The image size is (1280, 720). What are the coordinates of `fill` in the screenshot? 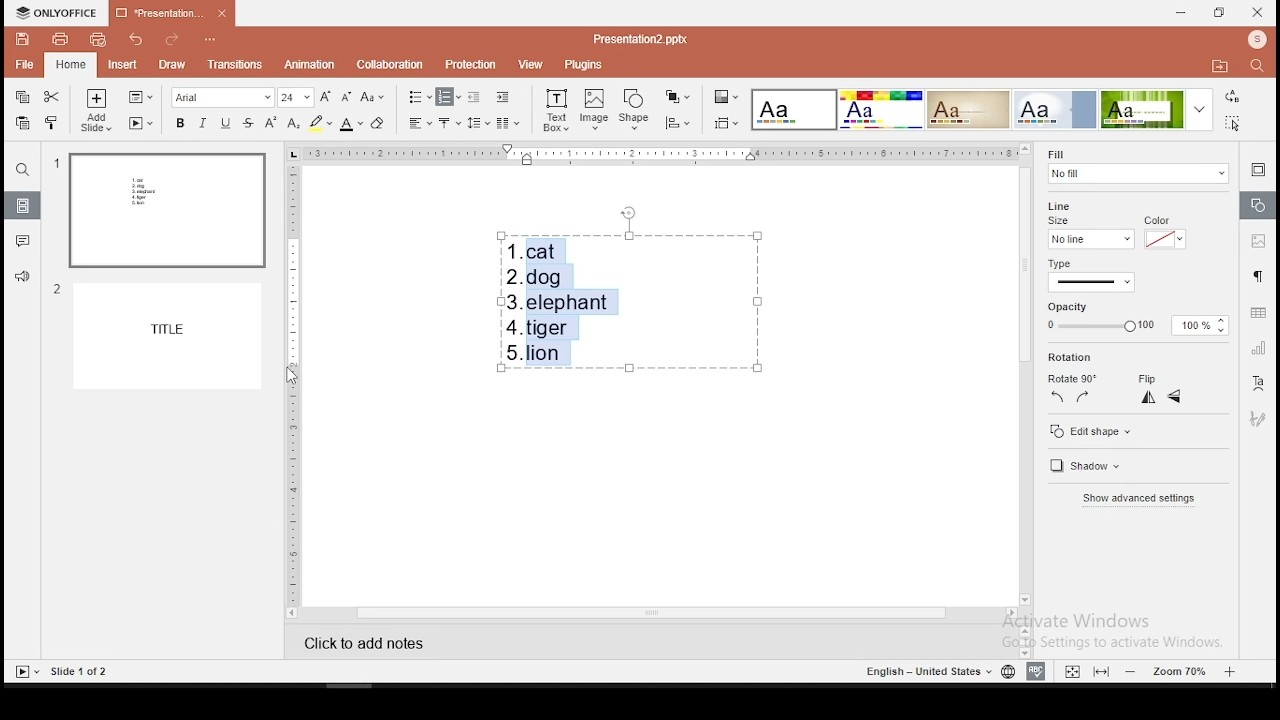 It's located at (1135, 168).